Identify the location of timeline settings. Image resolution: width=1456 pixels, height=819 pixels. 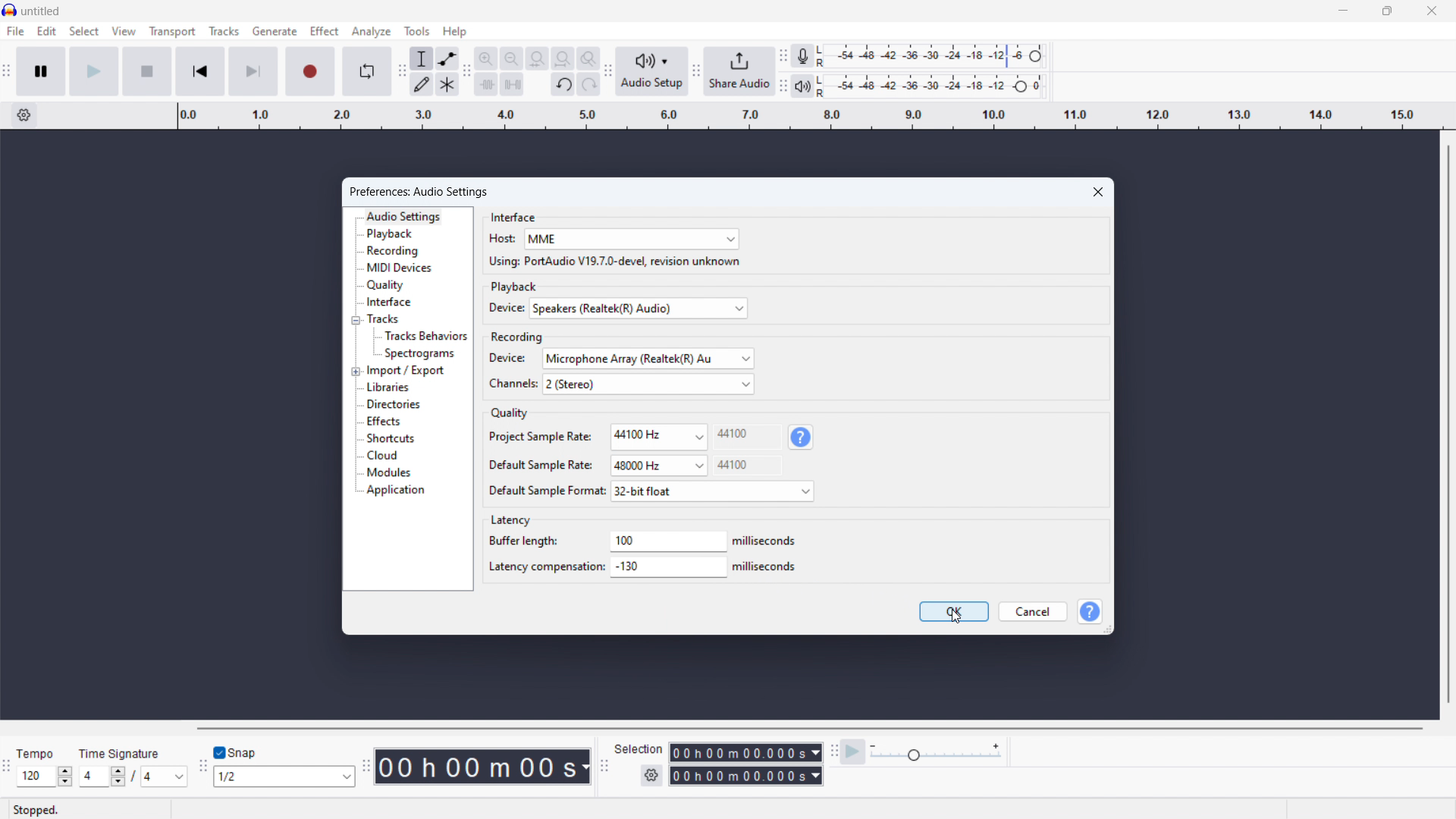
(24, 116).